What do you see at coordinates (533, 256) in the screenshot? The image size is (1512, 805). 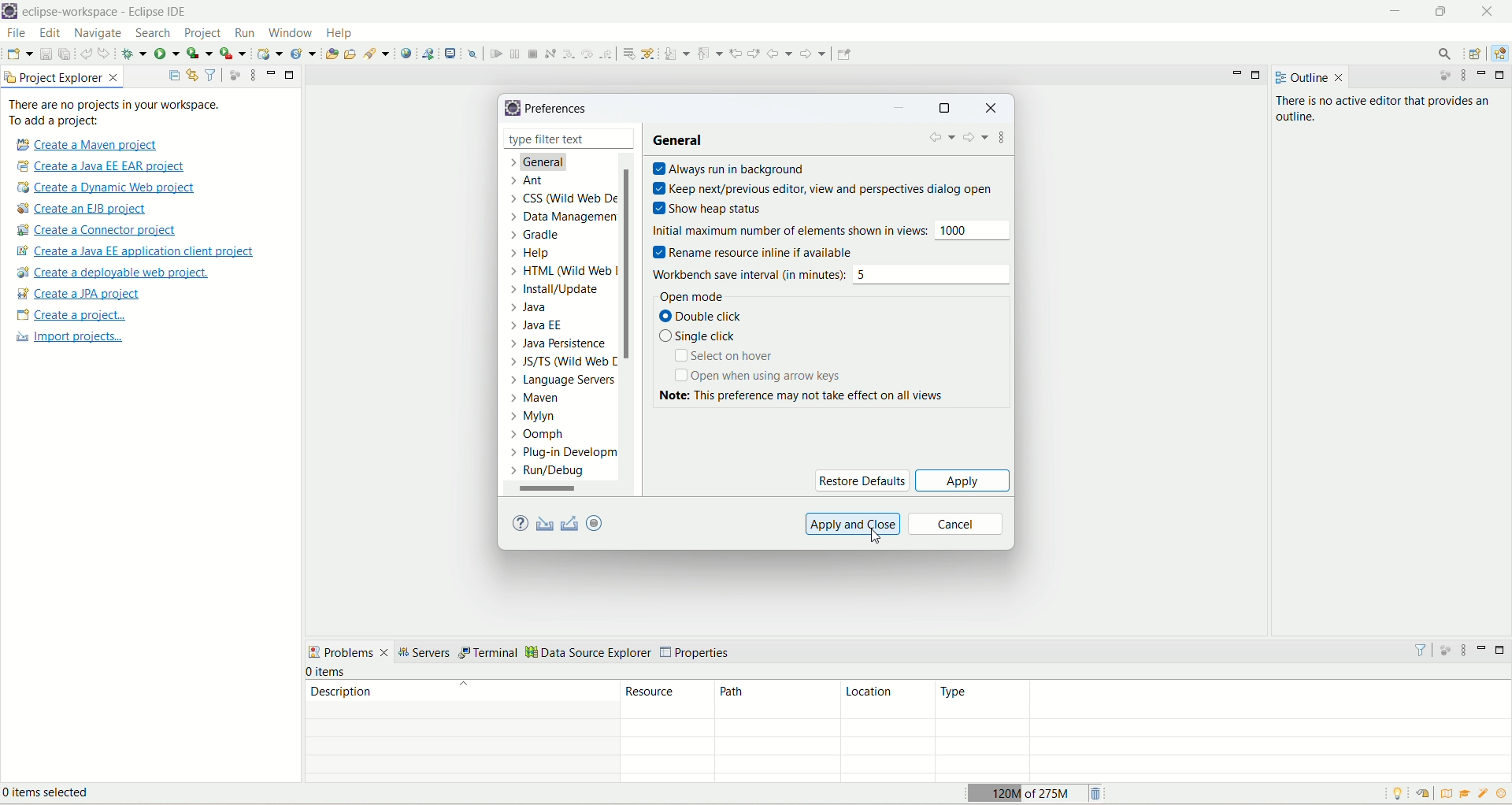 I see `Help` at bounding box center [533, 256].